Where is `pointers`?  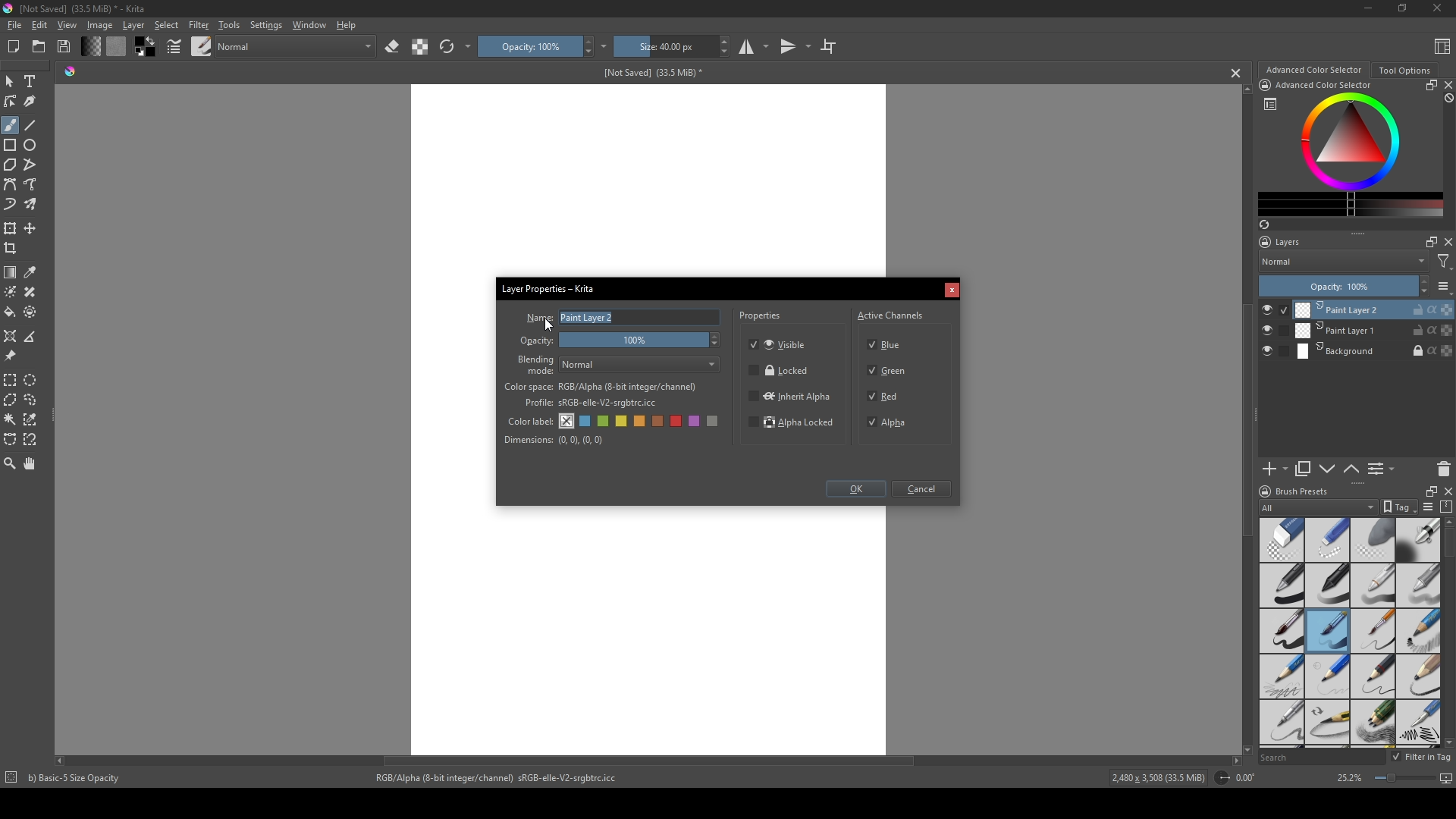
pointers is located at coordinates (174, 47).